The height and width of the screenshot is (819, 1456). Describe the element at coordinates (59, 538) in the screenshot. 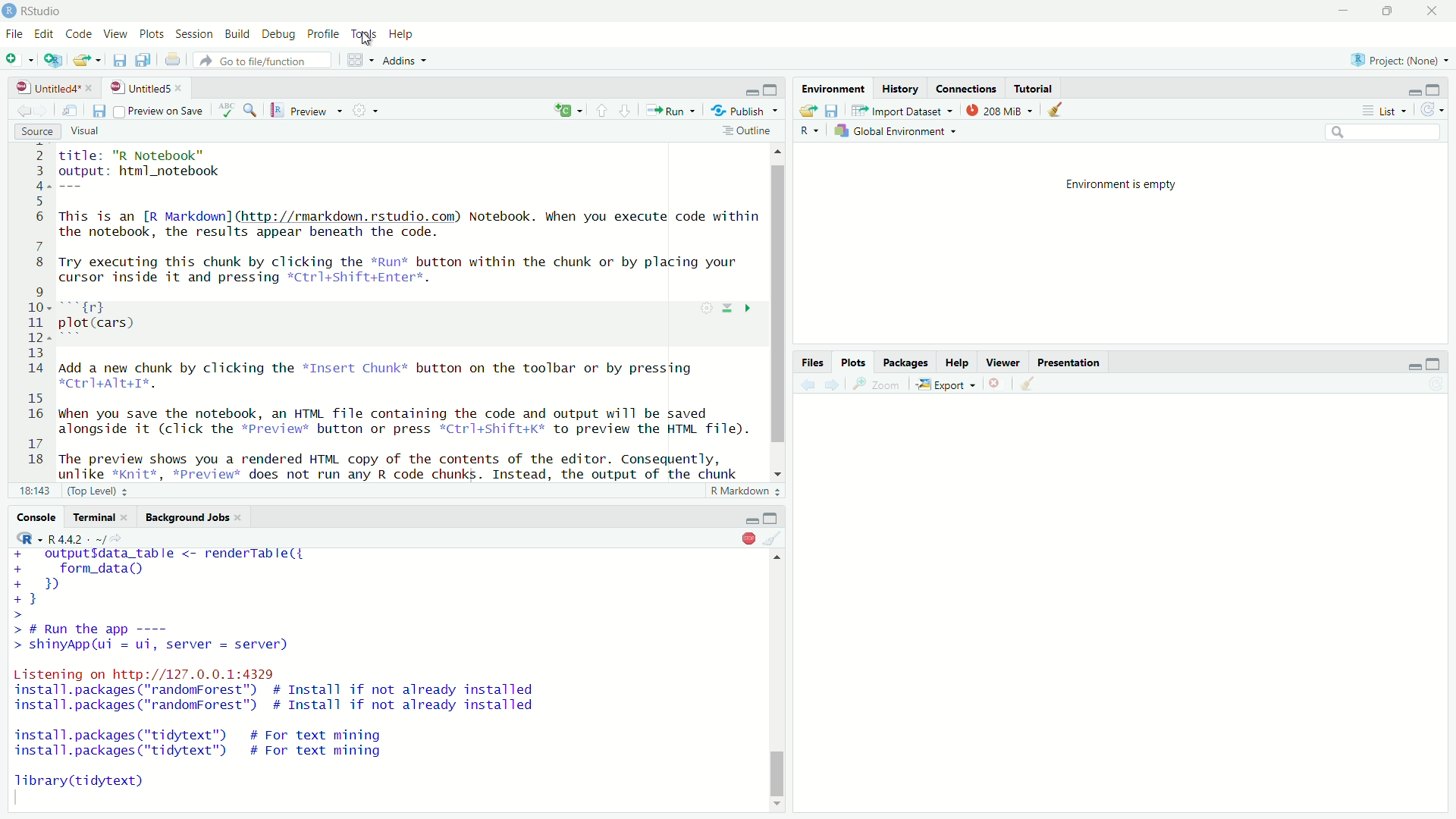

I see `R - R442 ~/` at that location.